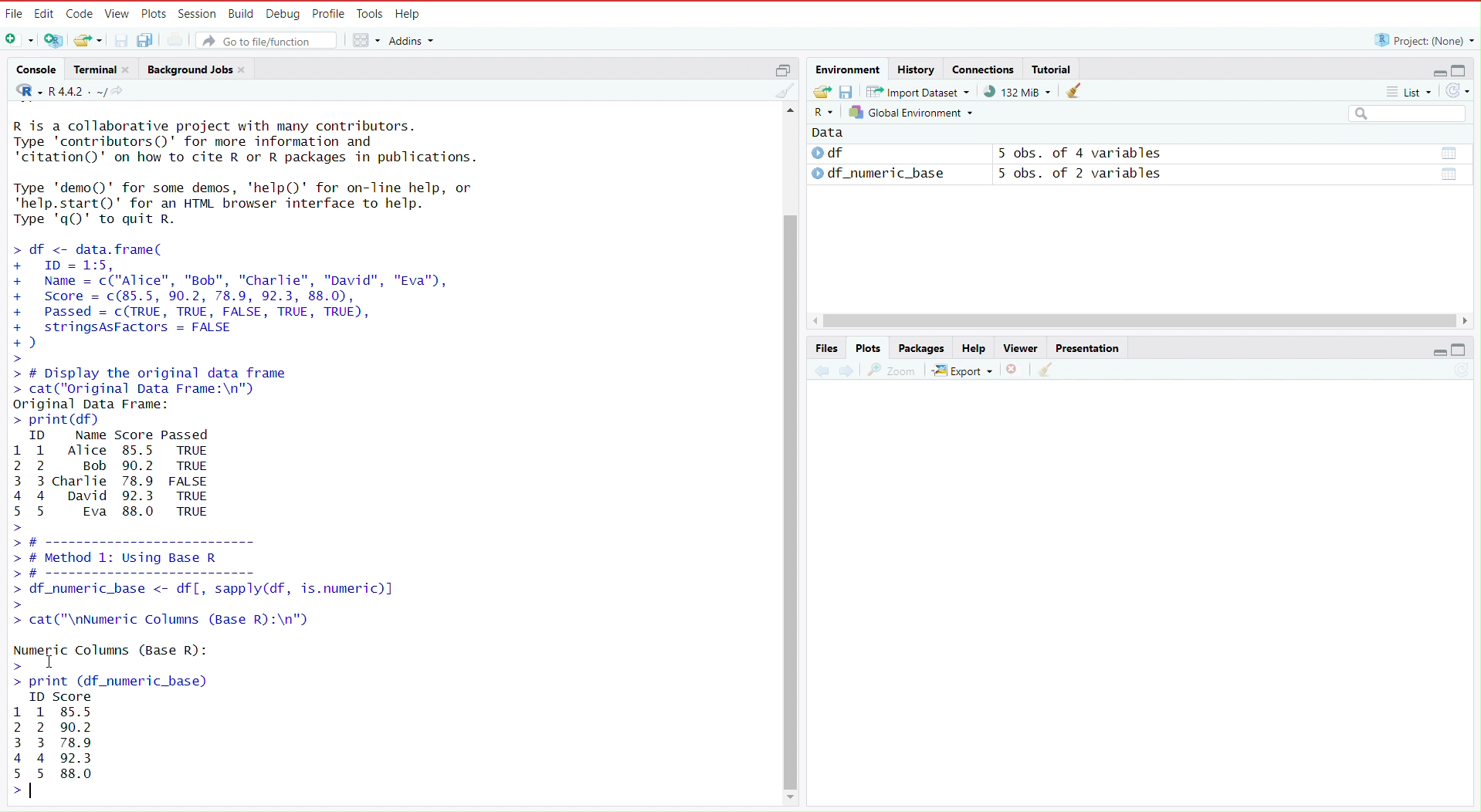 The width and height of the screenshot is (1481, 812). What do you see at coordinates (79, 11) in the screenshot?
I see `Code` at bounding box center [79, 11].